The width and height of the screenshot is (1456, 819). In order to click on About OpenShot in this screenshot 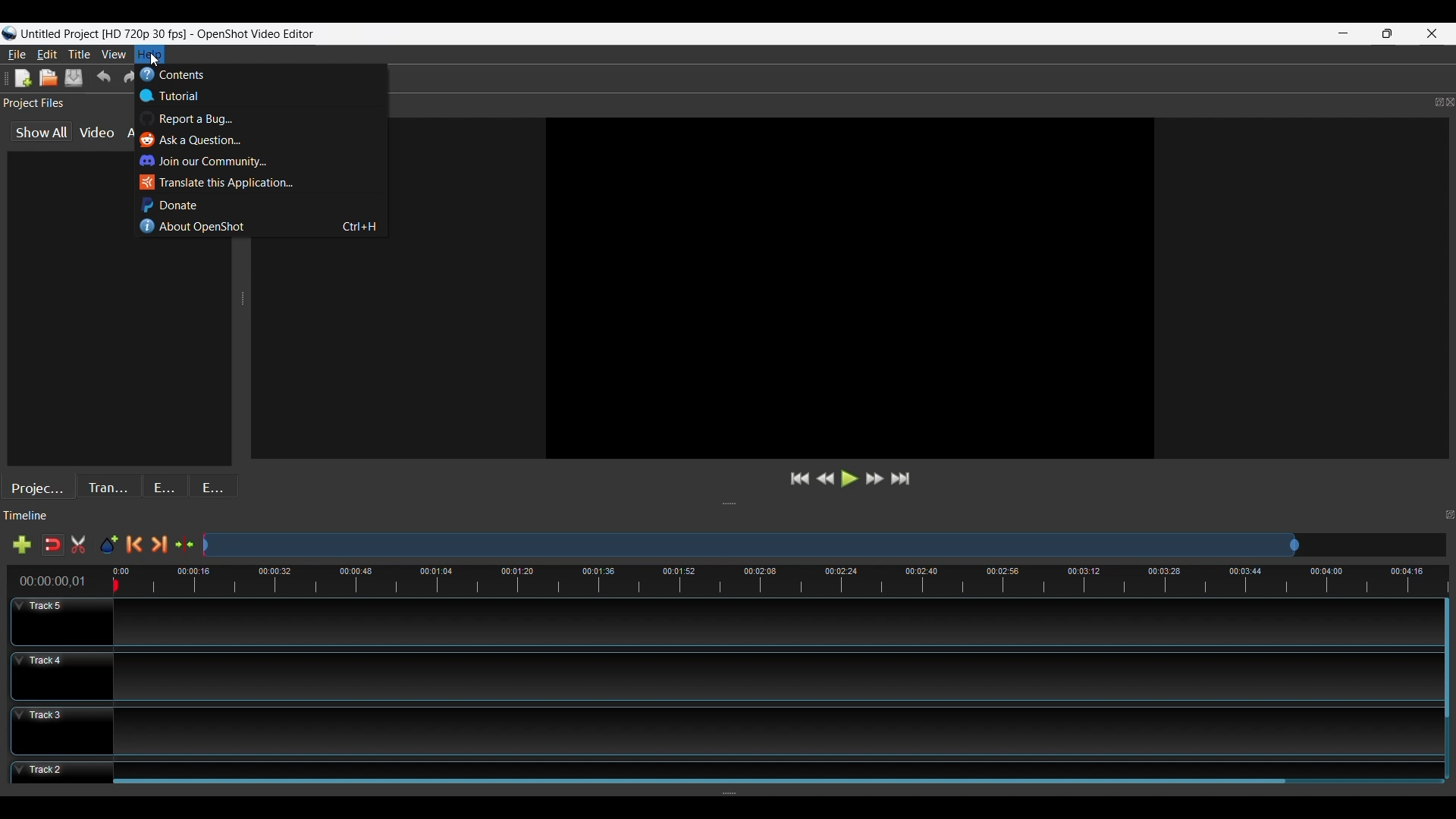, I will do `click(266, 227)`.